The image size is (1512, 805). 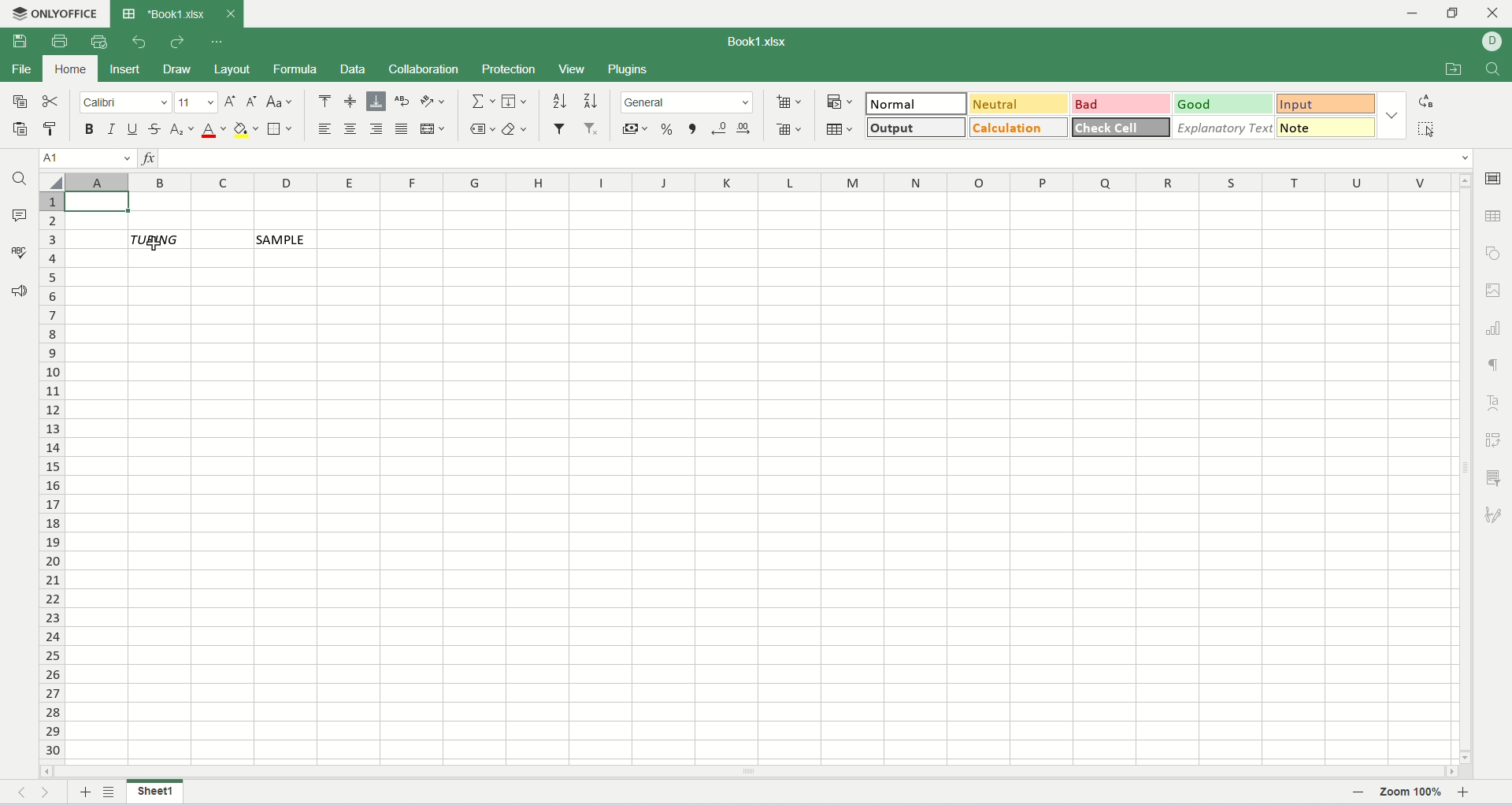 I want to click on font color, so click(x=214, y=130).